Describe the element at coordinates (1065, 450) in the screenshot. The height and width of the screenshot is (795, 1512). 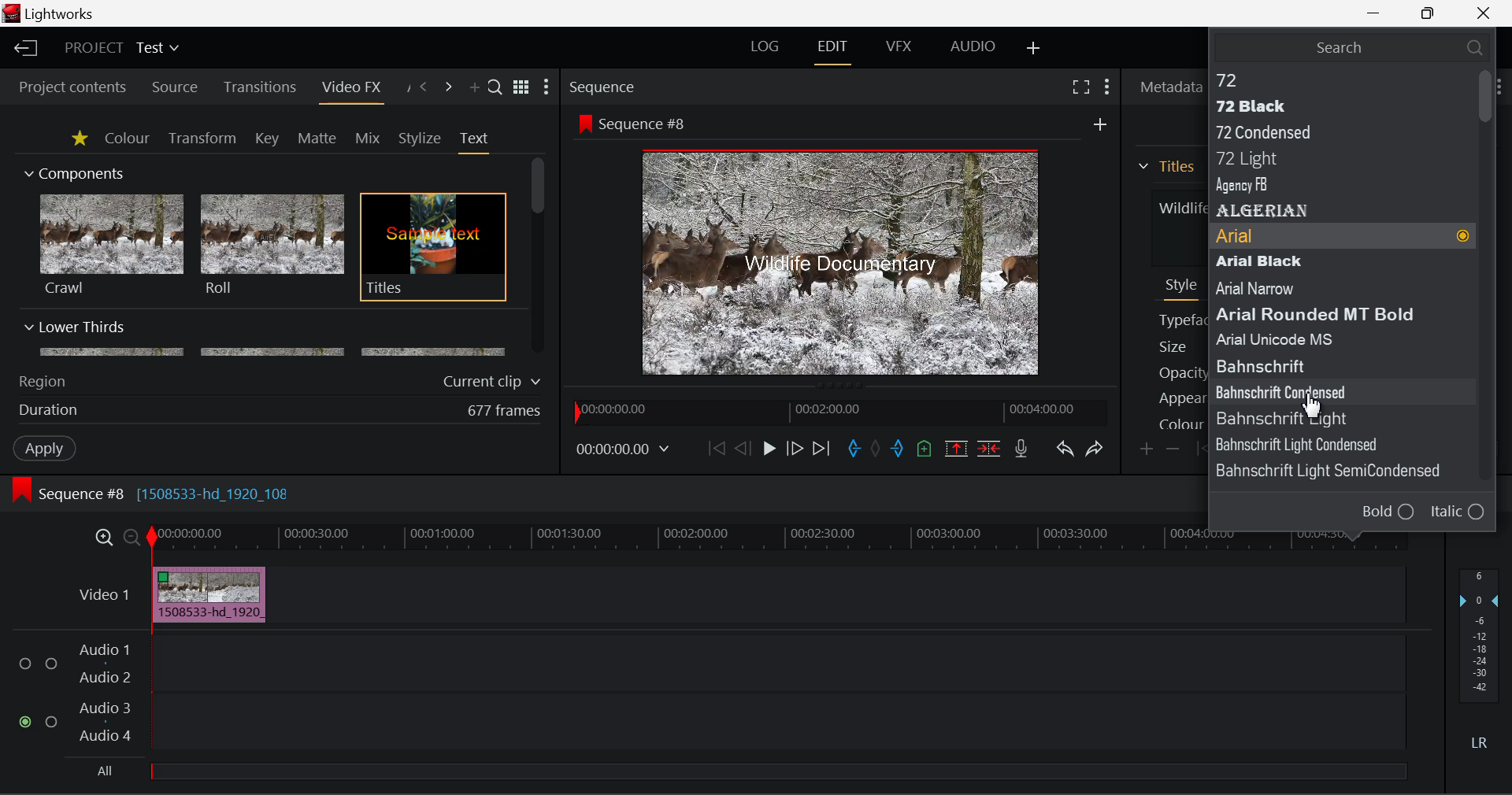
I see `Undo` at that location.